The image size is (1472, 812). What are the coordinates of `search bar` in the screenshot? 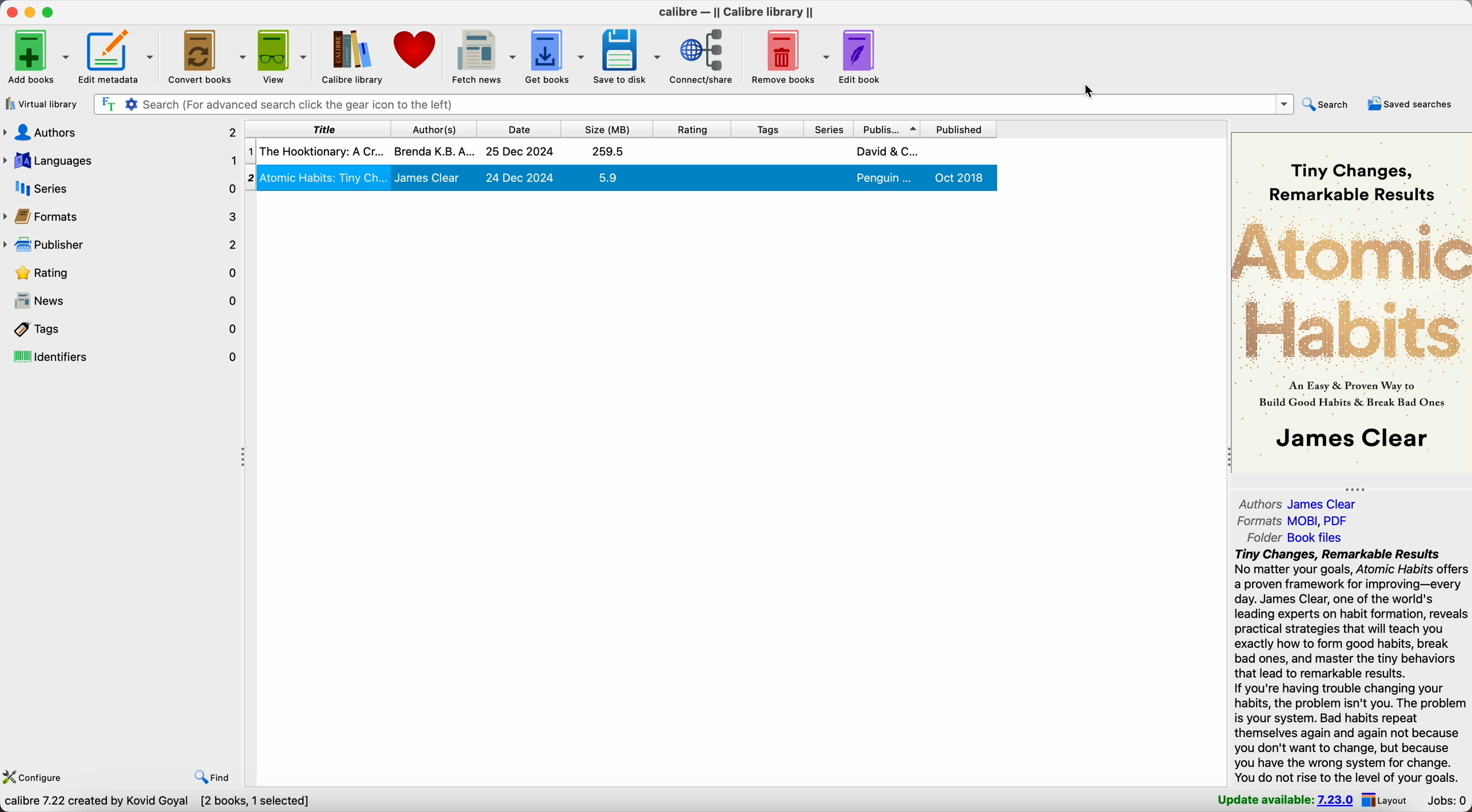 It's located at (692, 104).